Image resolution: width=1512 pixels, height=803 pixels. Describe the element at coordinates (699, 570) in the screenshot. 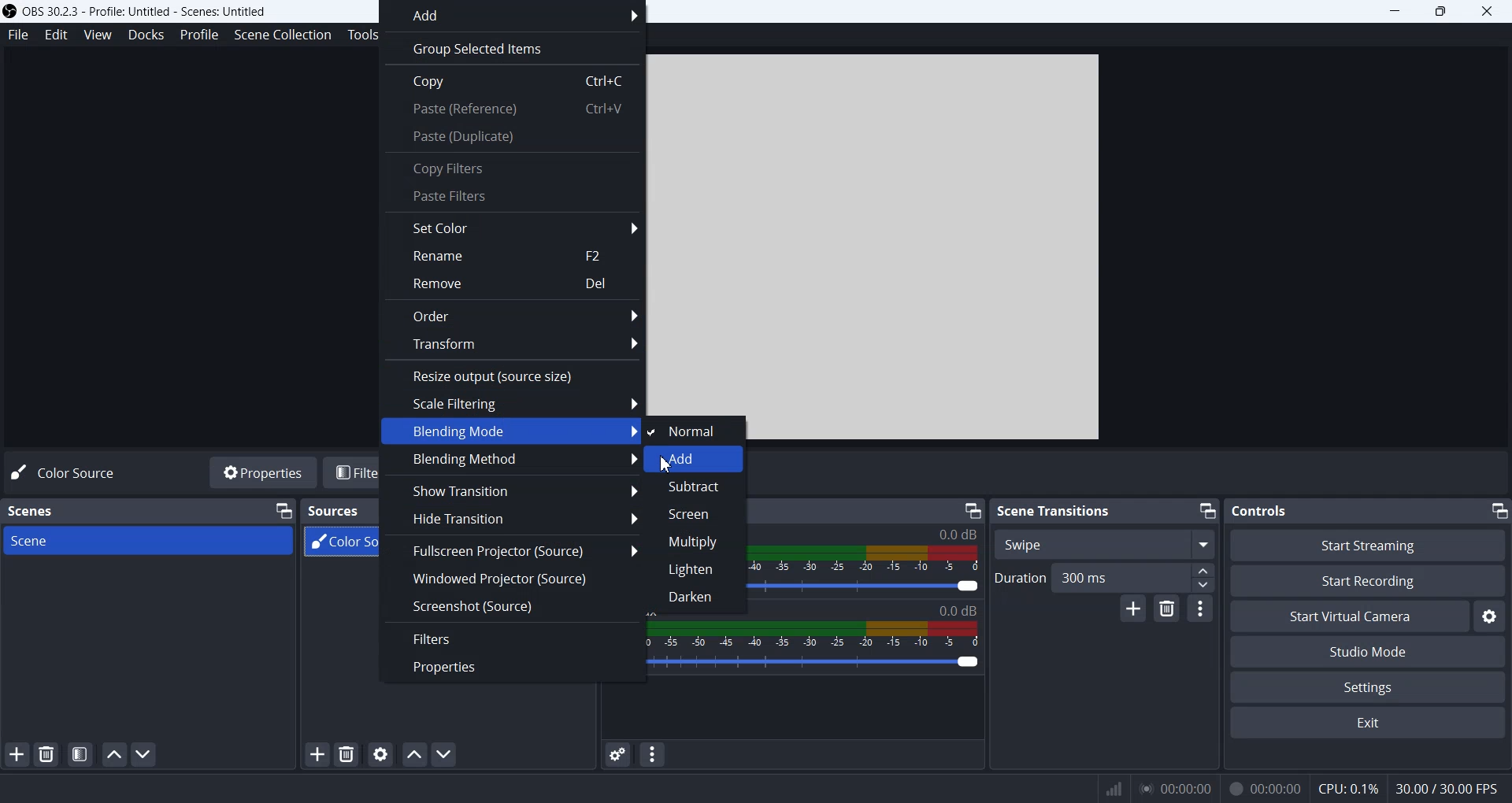

I see `Lighten` at that location.